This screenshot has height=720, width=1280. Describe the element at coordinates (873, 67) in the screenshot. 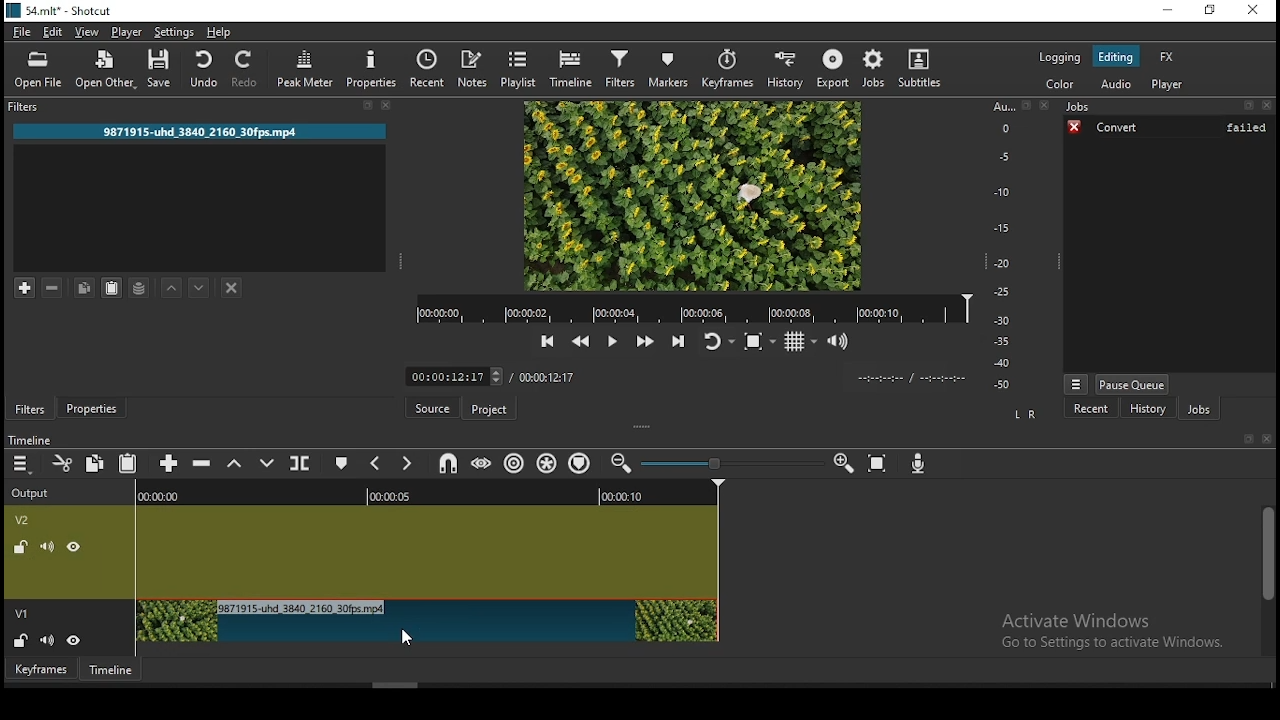

I see `jobs` at that location.